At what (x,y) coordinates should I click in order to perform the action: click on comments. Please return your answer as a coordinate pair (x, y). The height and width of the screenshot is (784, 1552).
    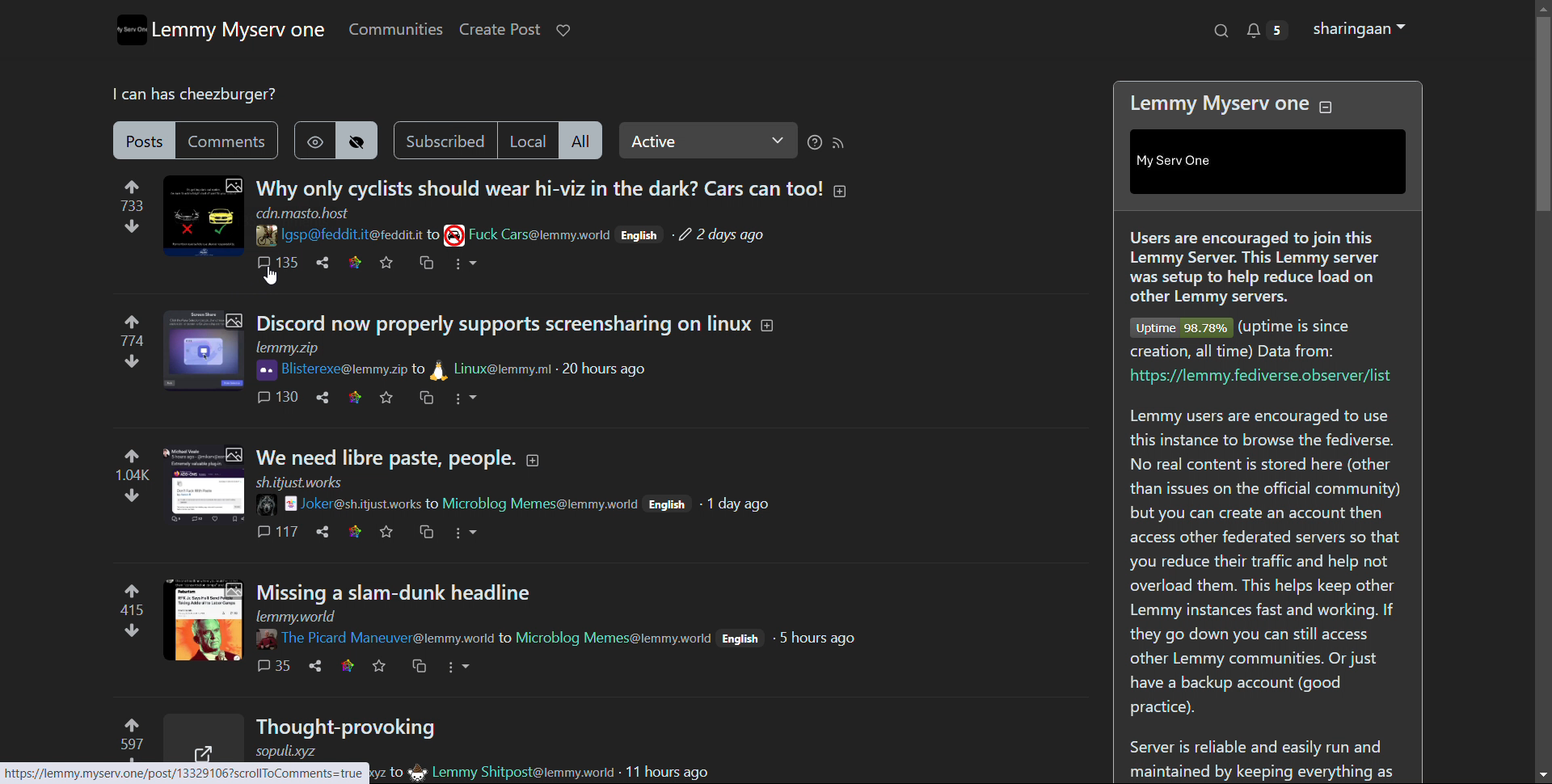
    Looking at the image, I should click on (273, 664).